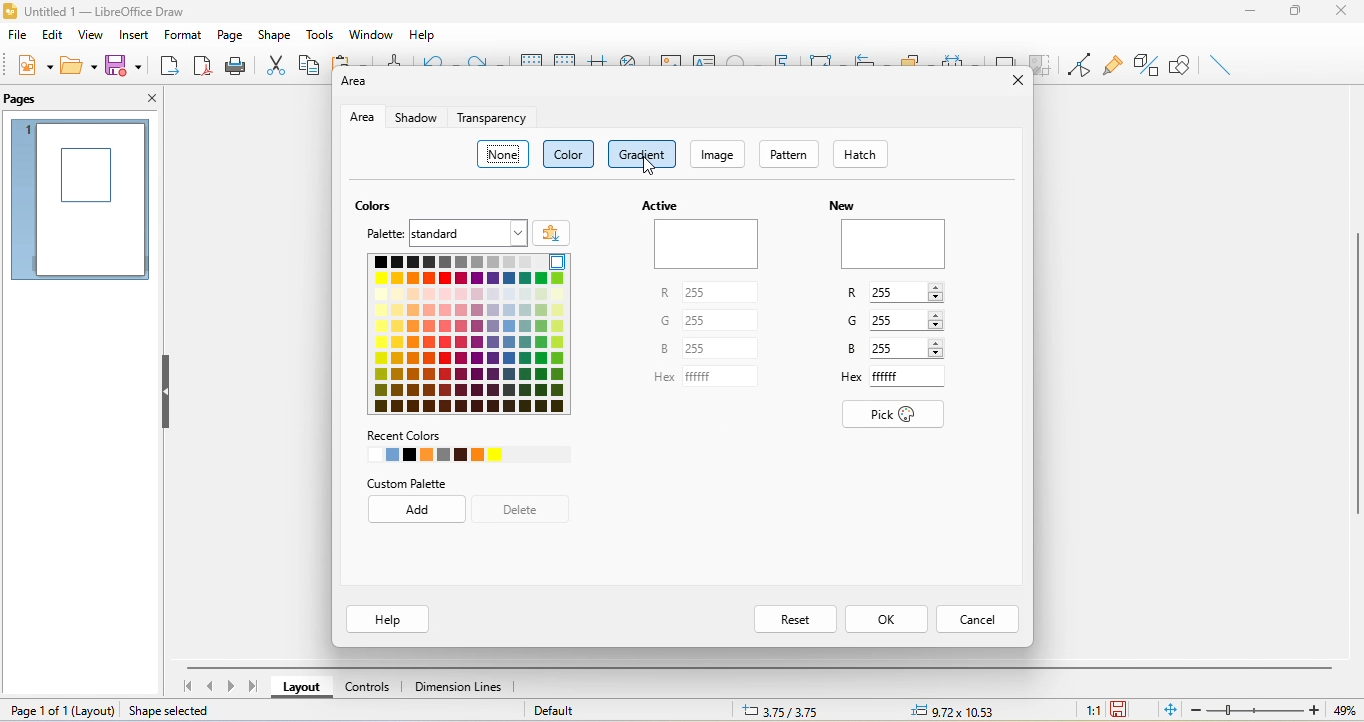 The width and height of the screenshot is (1364, 722). Describe the element at coordinates (229, 34) in the screenshot. I see `page` at that location.